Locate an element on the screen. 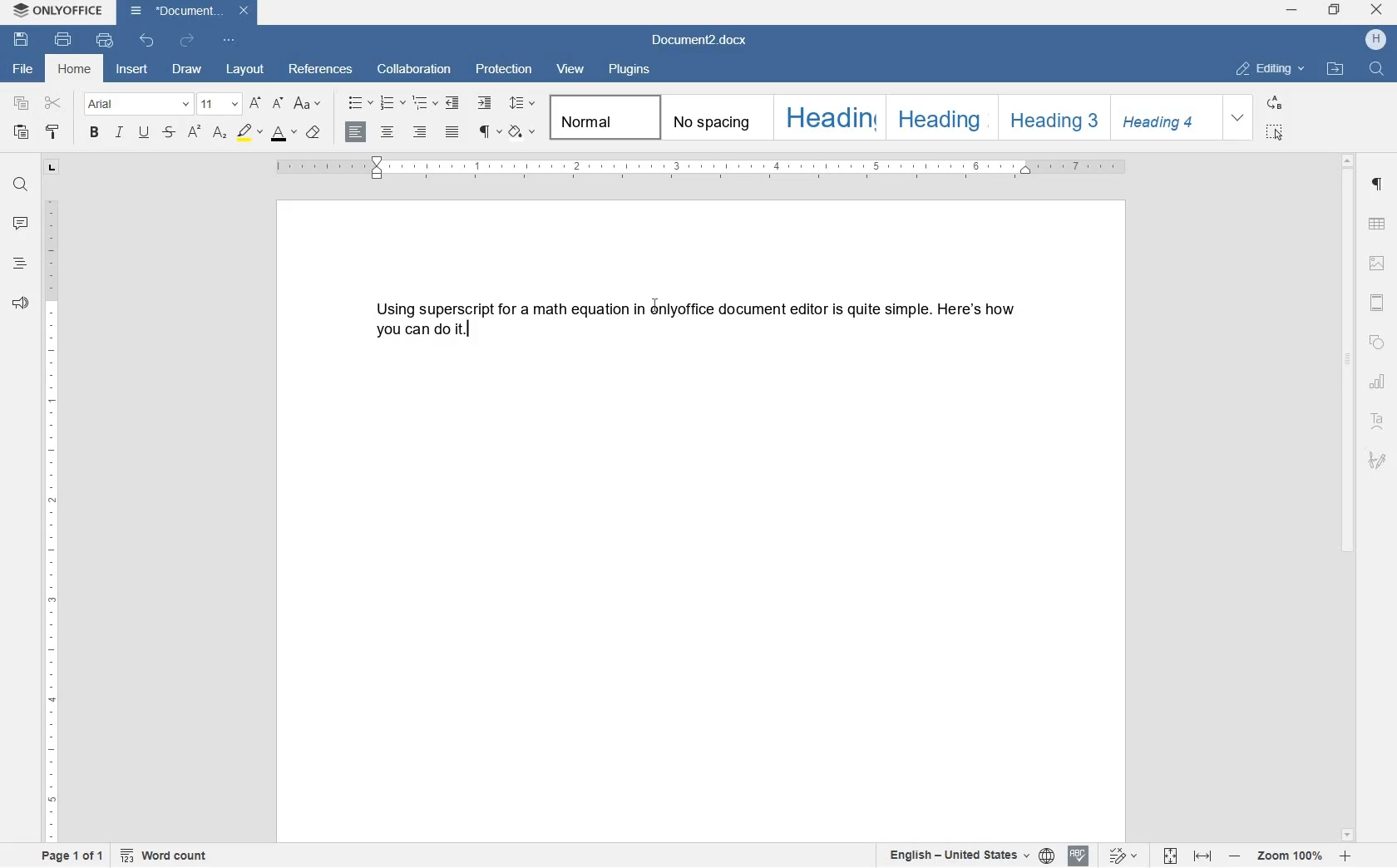 This screenshot has height=868, width=1397. protection is located at coordinates (506, 71).